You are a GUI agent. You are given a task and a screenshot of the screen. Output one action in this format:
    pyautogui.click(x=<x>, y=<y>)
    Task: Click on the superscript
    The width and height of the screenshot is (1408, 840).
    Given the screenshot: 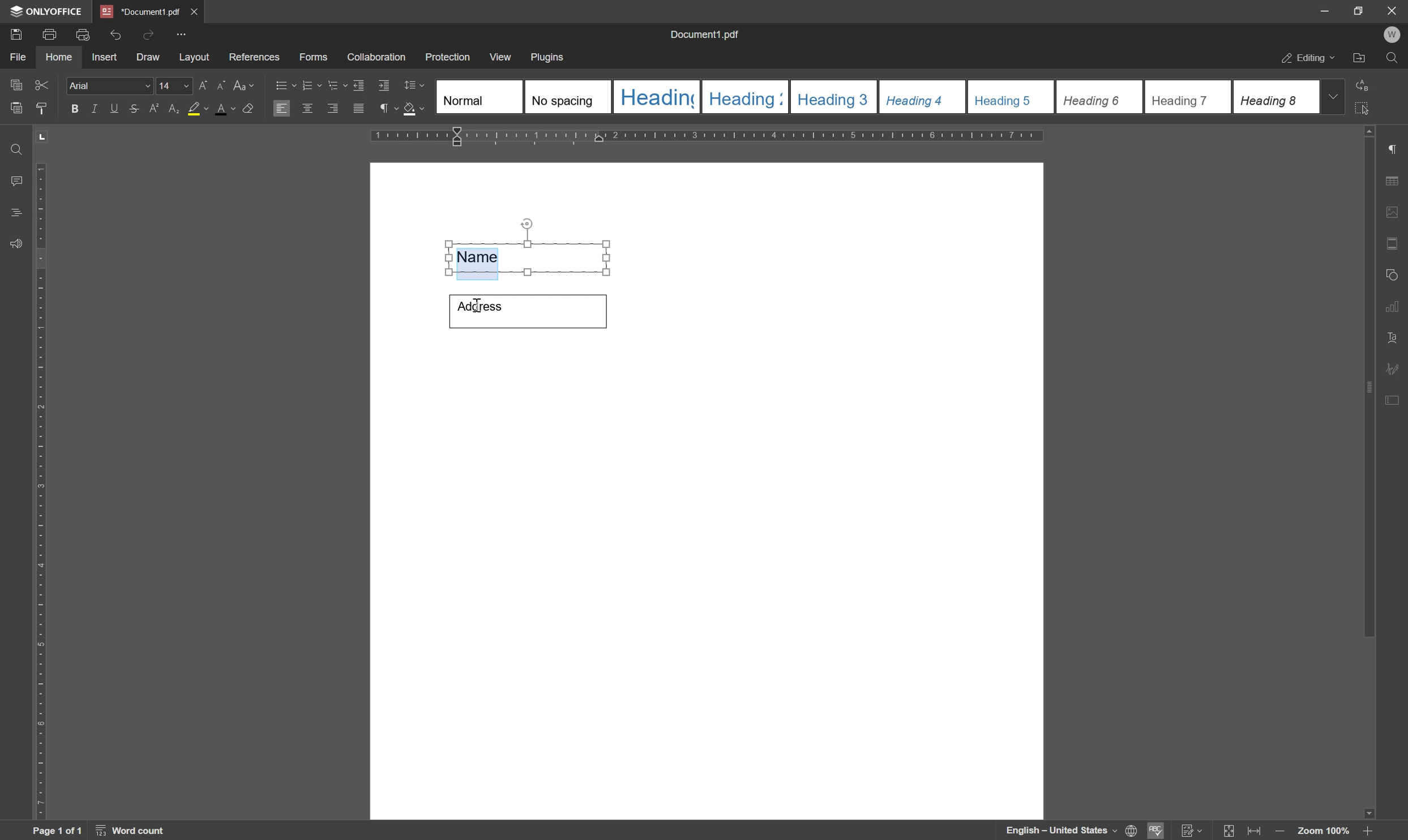 What is the action you would take?
    pyautogui.click(x=154, y=109)
    